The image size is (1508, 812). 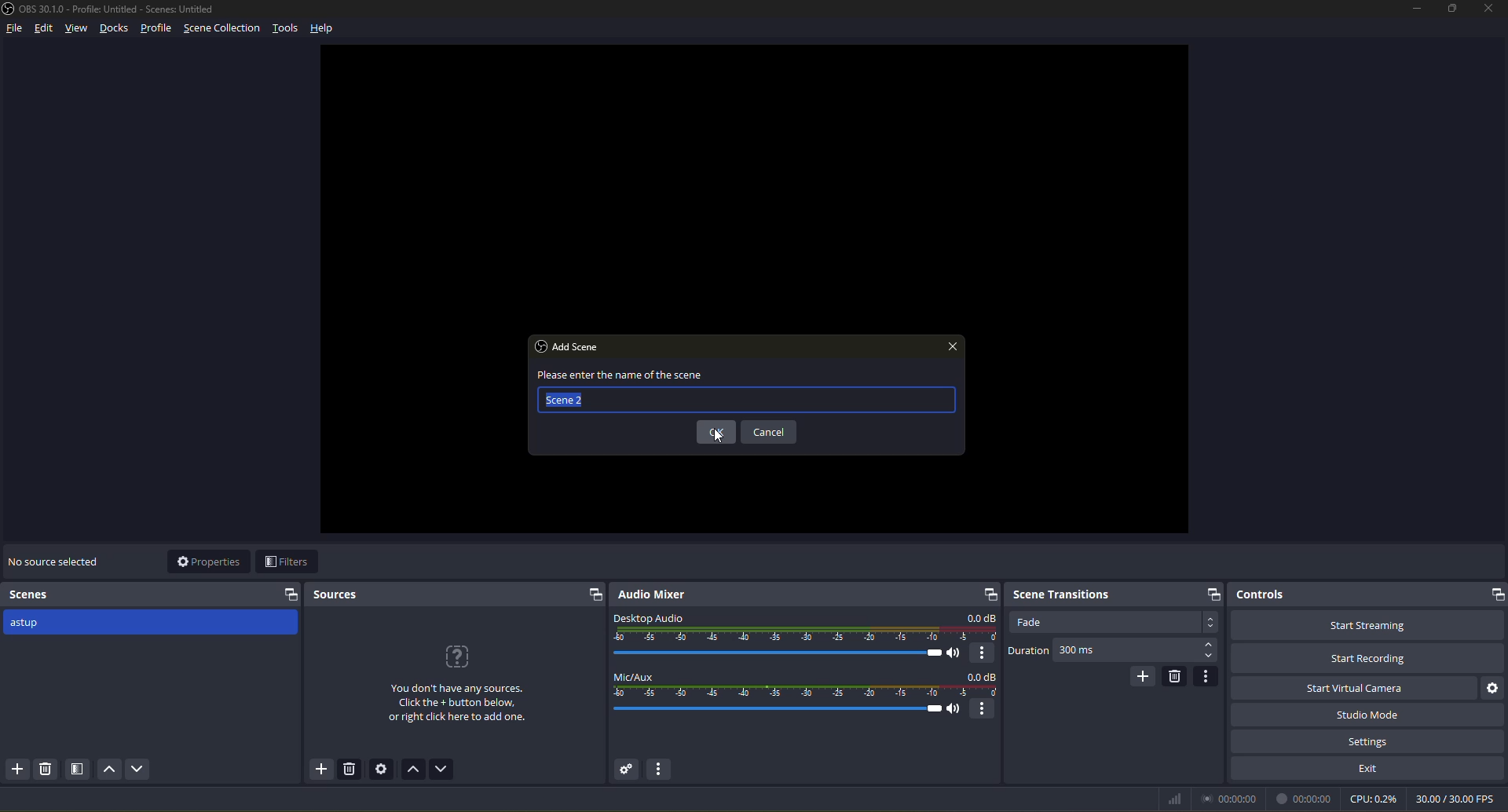 I want to click on sound level, so click(x=778, y=710).